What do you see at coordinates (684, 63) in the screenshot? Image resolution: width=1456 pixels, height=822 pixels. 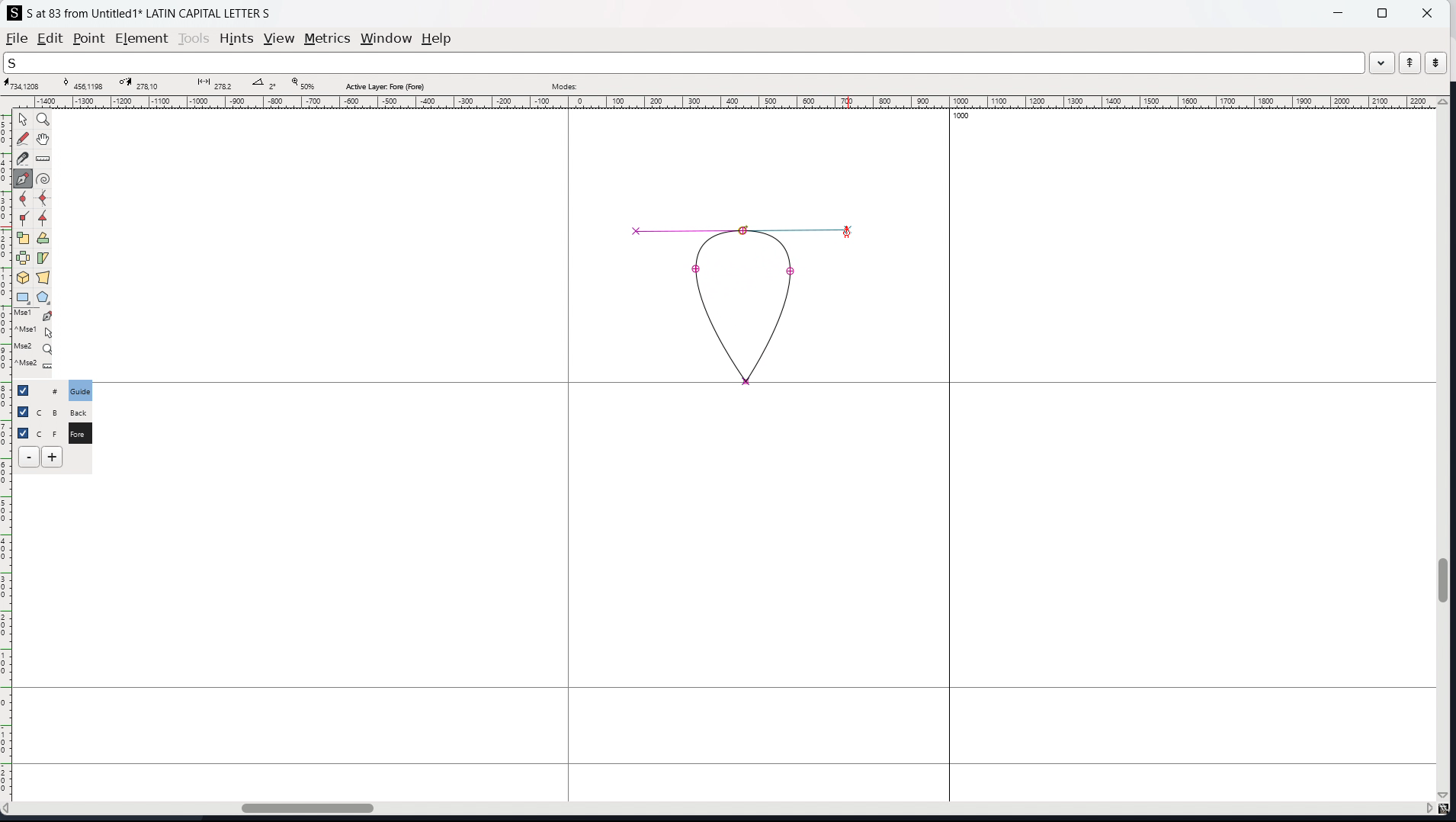 I see `search  the wordlist` at bounding box center [684, 63].